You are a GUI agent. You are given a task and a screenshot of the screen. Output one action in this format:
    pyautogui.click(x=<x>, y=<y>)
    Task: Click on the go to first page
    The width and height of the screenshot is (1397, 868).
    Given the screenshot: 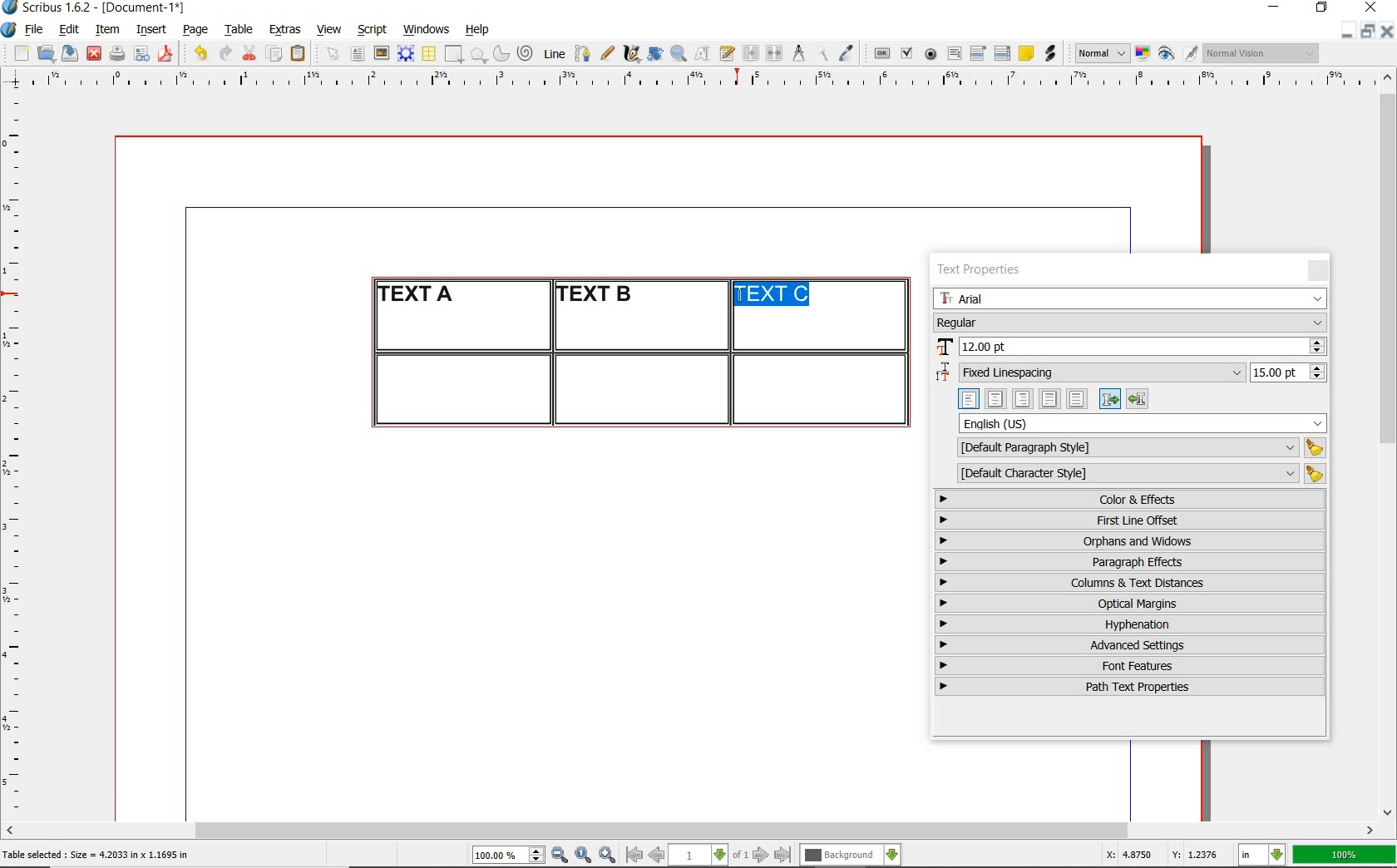 What is the action you would take?
    pyautogui.click(x=633, y=855)
    